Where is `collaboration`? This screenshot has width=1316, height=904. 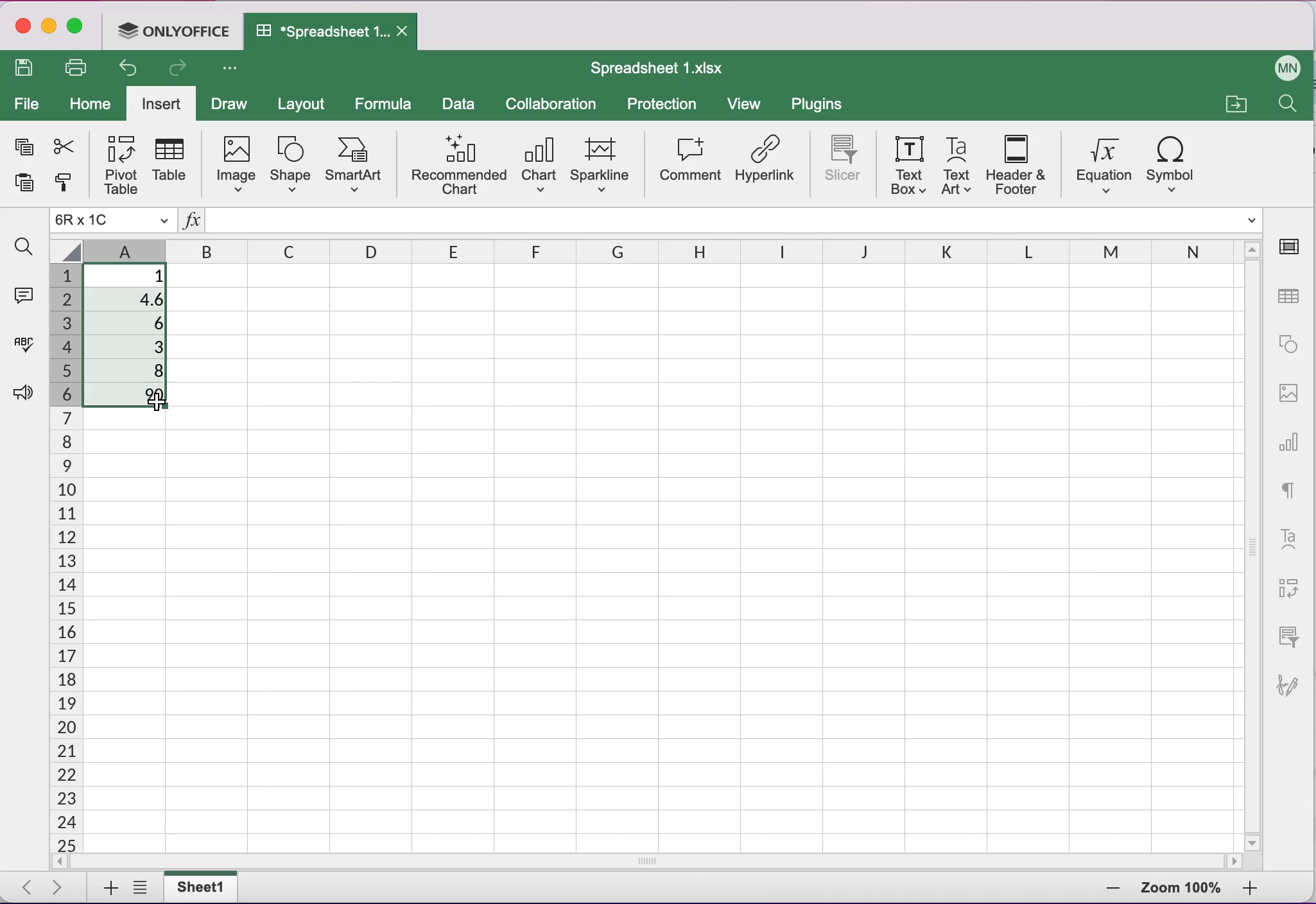
collaboration is located at coordinates (553, 103).